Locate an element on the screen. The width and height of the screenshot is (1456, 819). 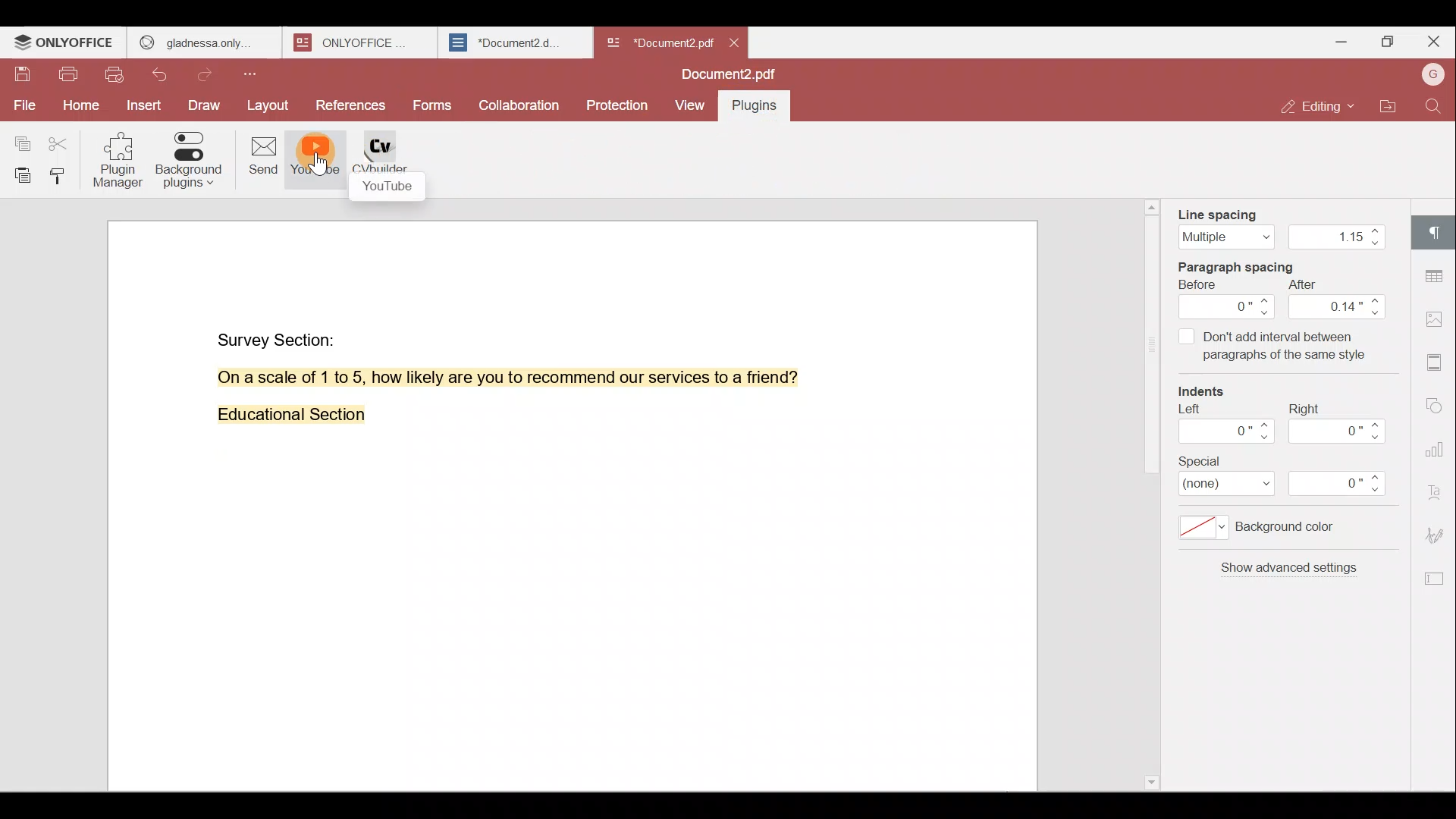
Collaboration is located at coordinates (517, 104).